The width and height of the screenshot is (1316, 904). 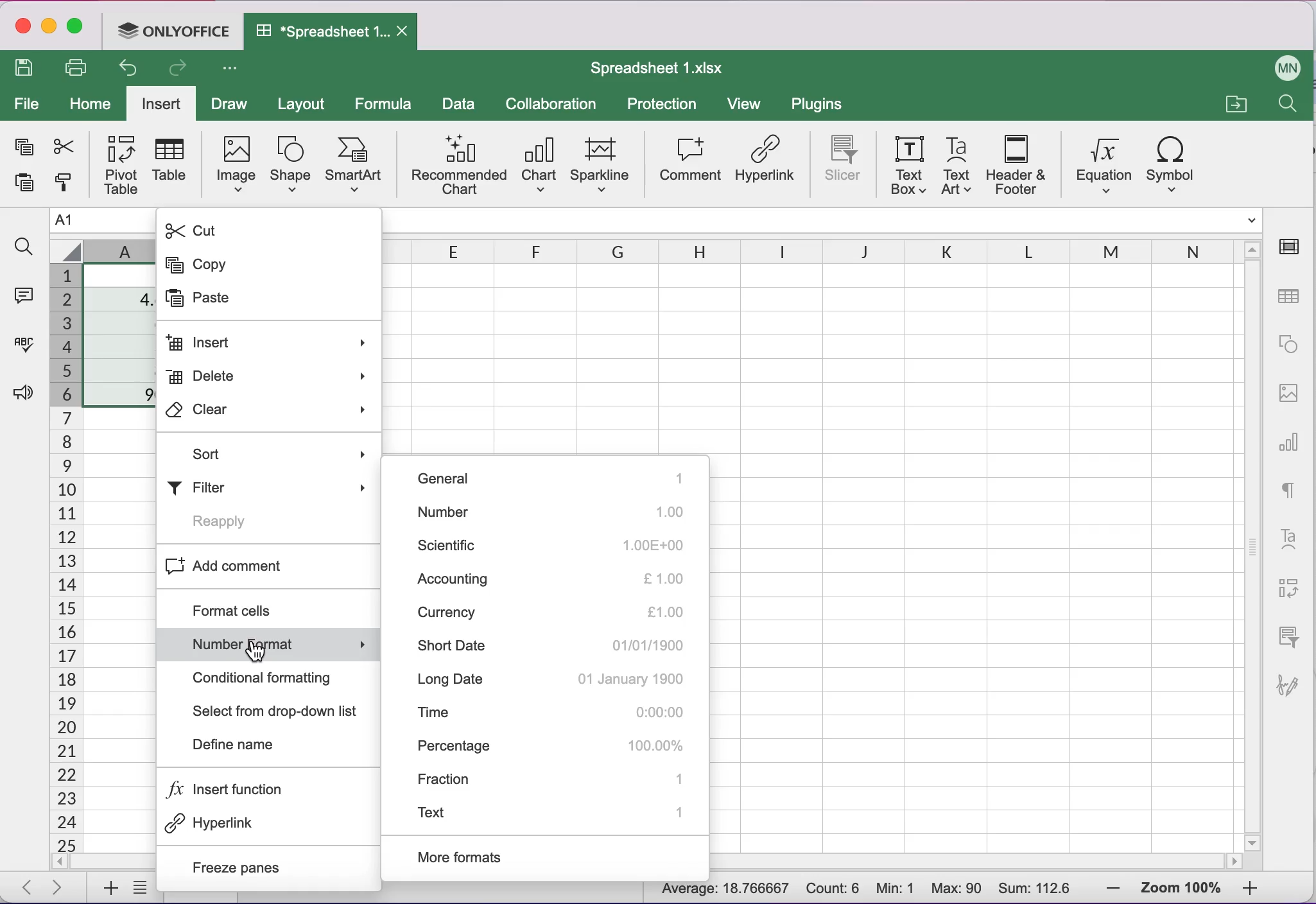 I want to click on hyperlink, so click(x=767, y=164).